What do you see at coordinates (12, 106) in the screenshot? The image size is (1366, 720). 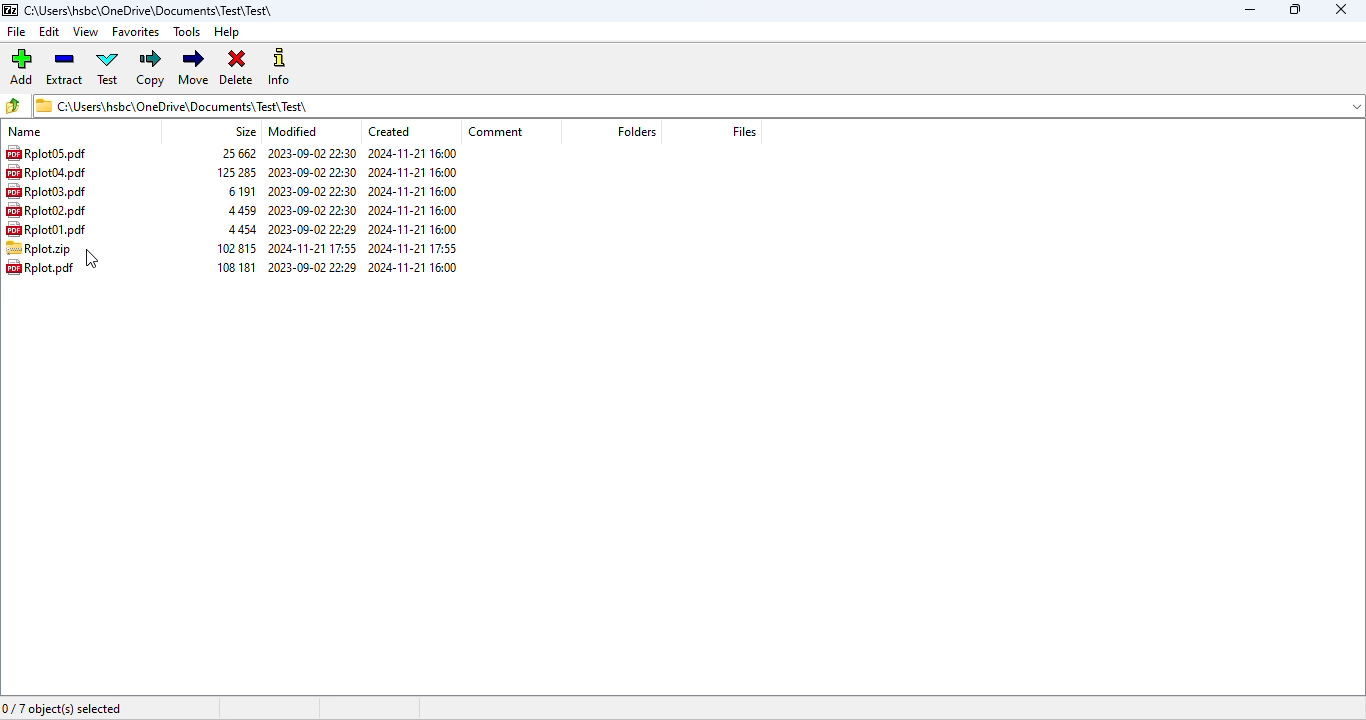 I see `browse folders` at bounding box center [12, 106].